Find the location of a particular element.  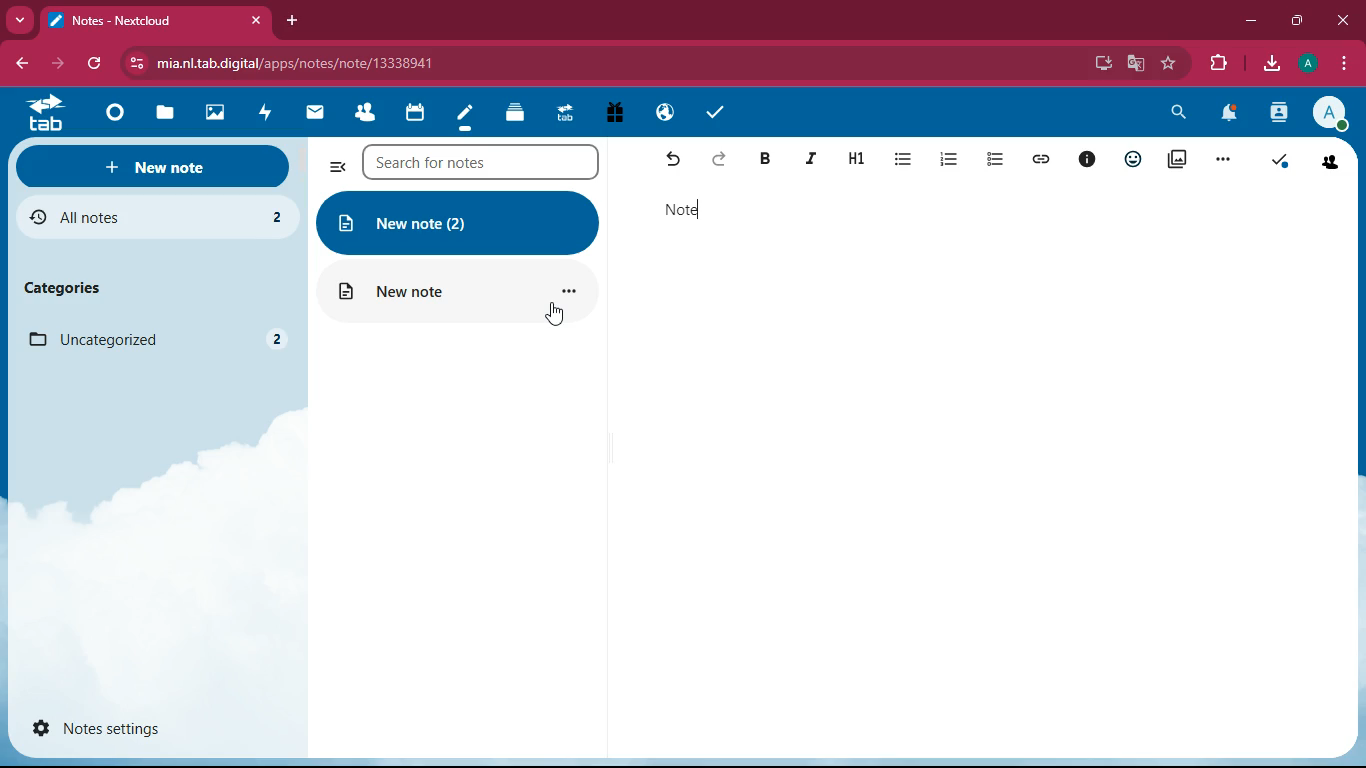

back is located at coordinates (16, 62).